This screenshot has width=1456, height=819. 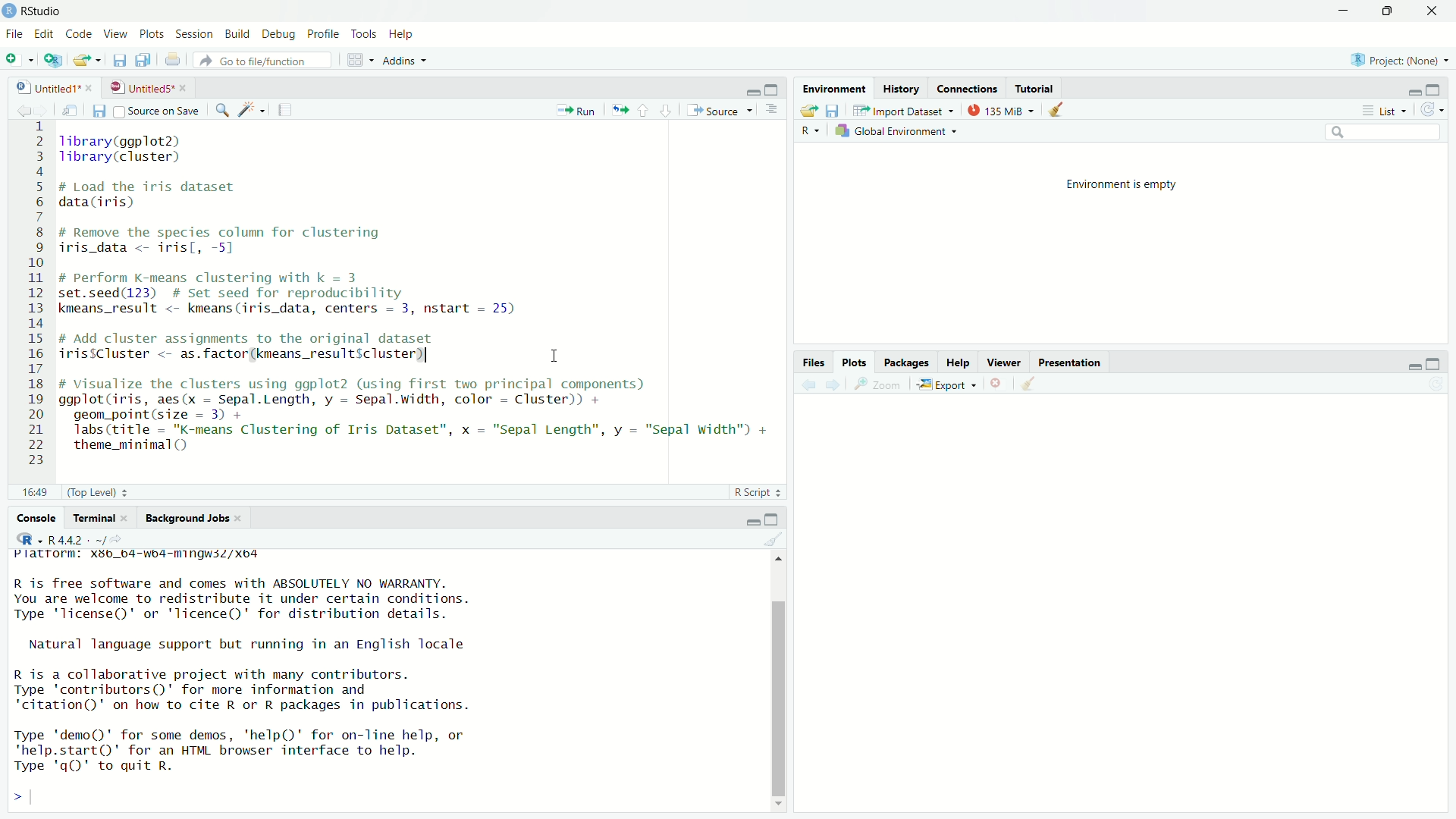 What do you see at coordinates (1433, 12) in the screenshot?
I see `close` at bounding box center [1433, 12].